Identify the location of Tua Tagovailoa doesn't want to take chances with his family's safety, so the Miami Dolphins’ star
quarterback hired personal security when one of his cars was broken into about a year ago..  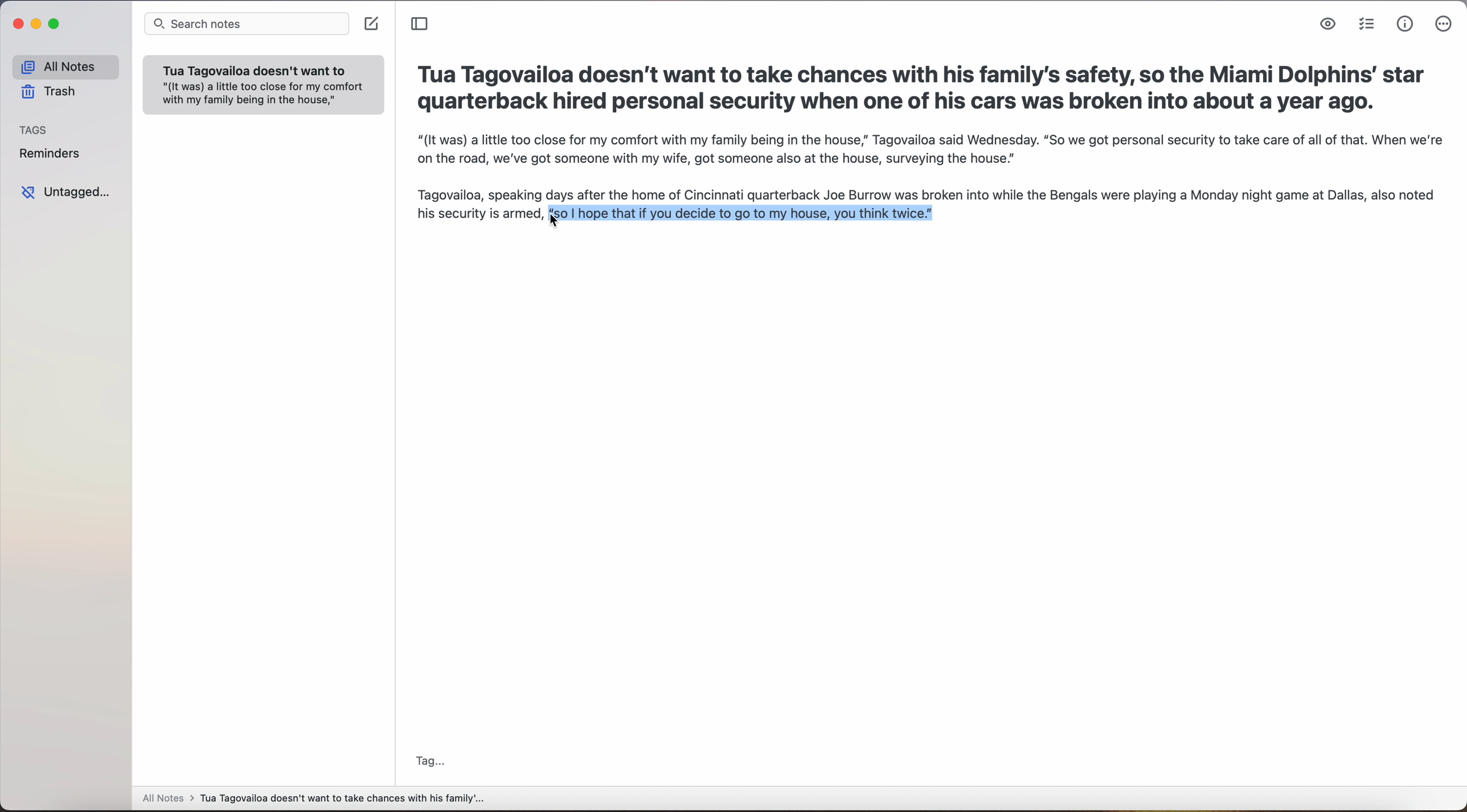
(923, 87).